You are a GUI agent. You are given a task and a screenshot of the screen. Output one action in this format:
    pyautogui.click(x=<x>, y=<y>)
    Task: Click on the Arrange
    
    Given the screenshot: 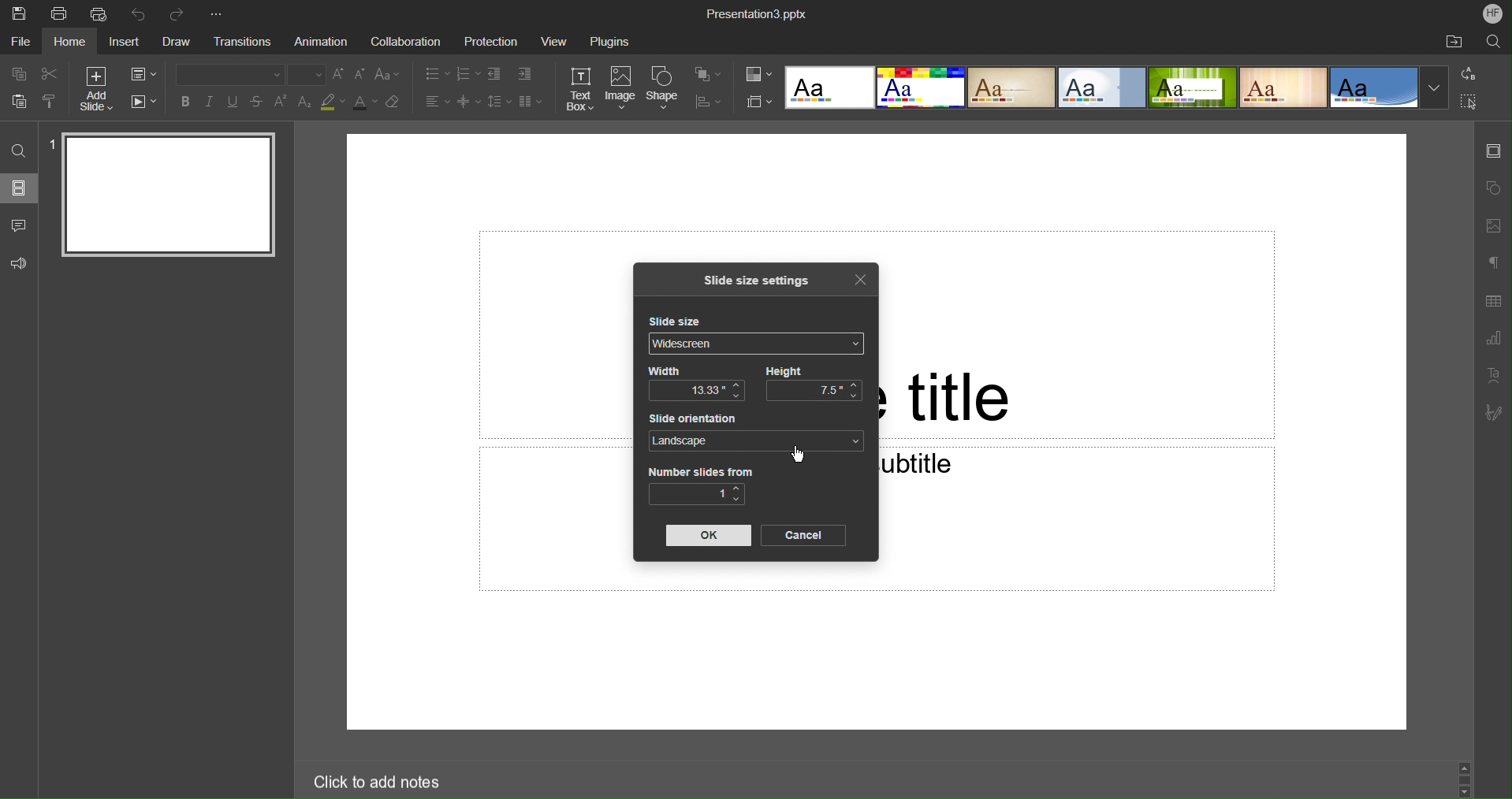 What is the action you would take?
    pyautogui.click(x=707, y=75)
    